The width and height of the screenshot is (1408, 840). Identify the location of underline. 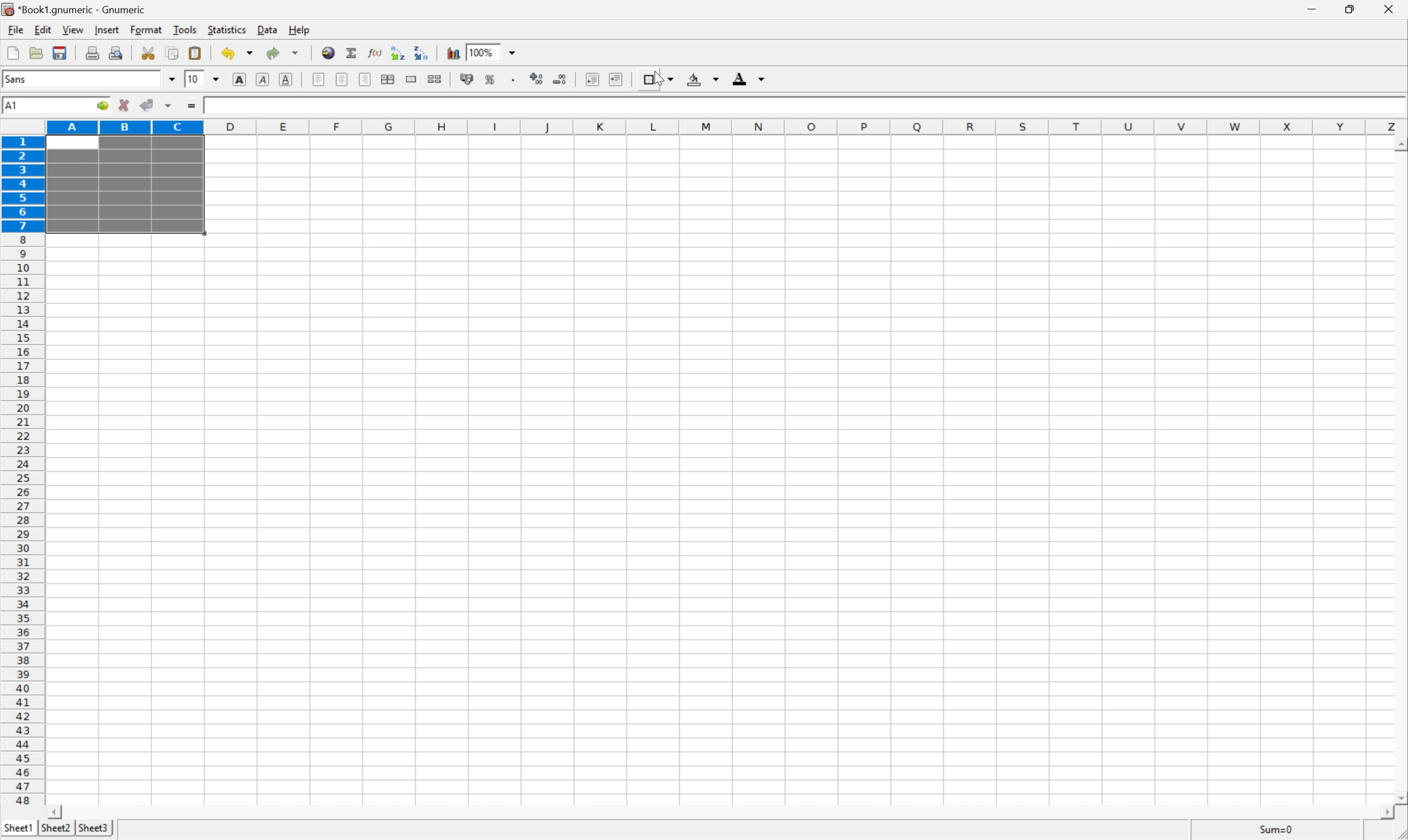
(287, 78).